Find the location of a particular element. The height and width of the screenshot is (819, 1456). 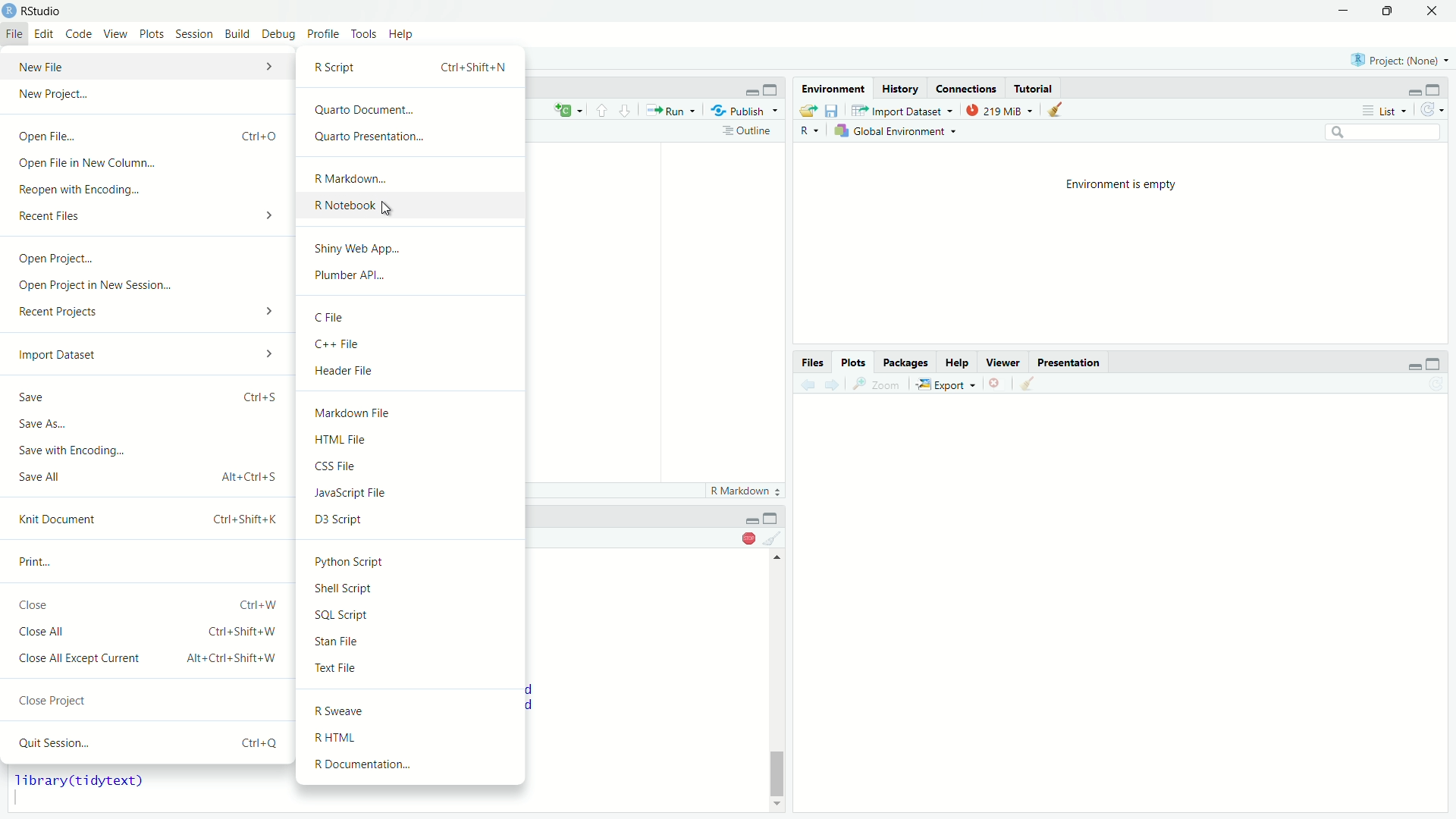

R Sweave is located at coordinates (412, 711).